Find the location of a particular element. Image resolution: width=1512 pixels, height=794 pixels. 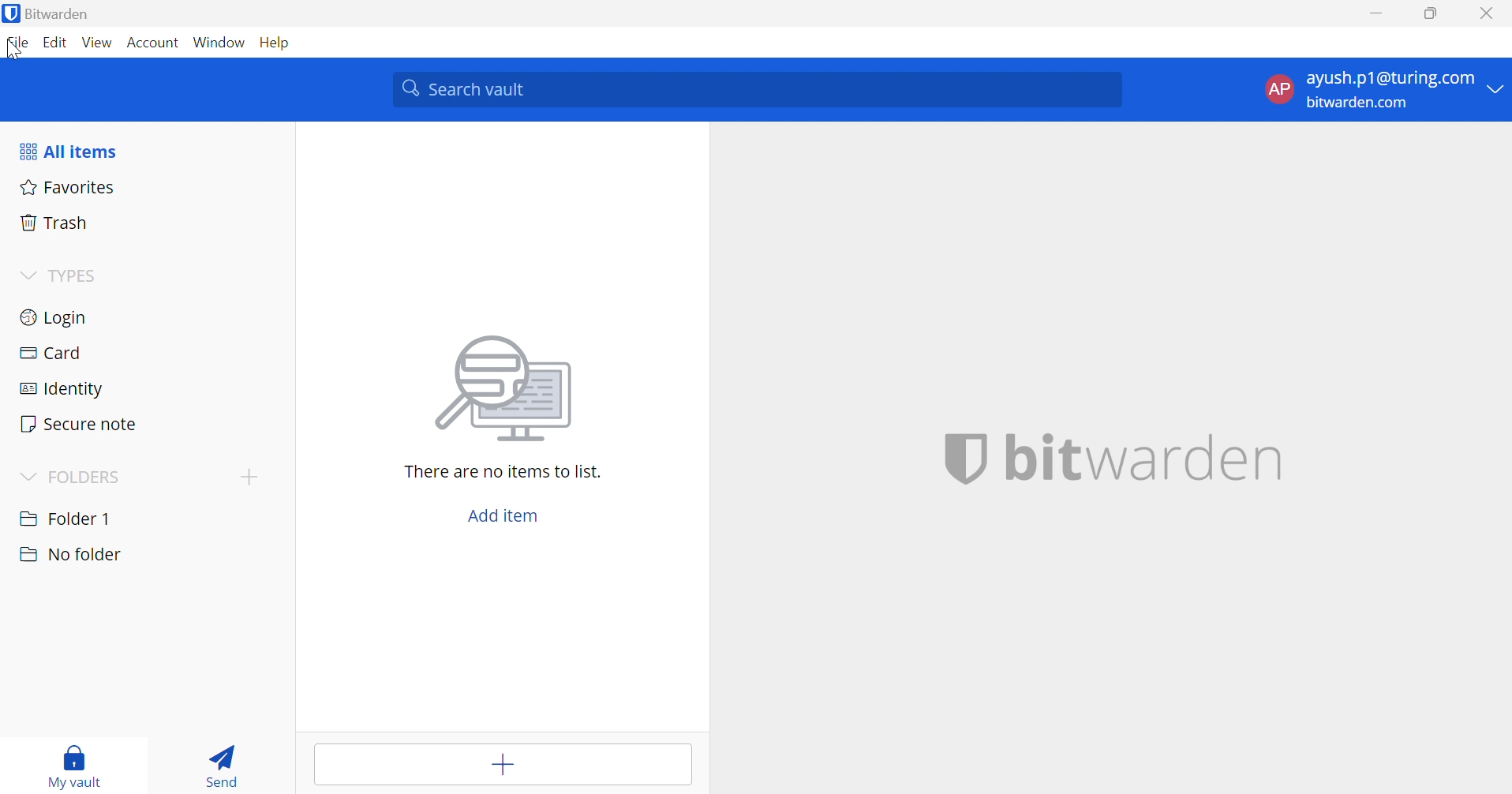

Restore is located at coordinates (1432, 14).